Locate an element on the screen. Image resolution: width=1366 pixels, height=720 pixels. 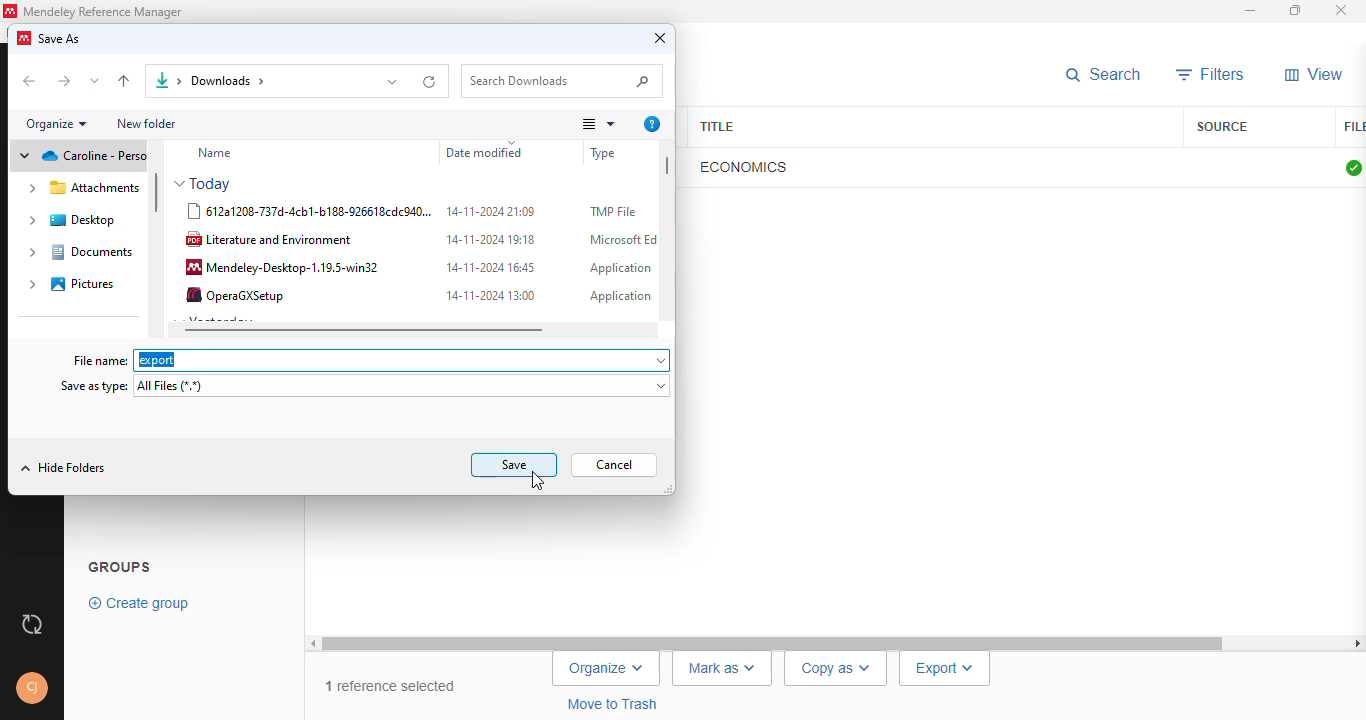
move to trash is located at coordinates (615, 704).